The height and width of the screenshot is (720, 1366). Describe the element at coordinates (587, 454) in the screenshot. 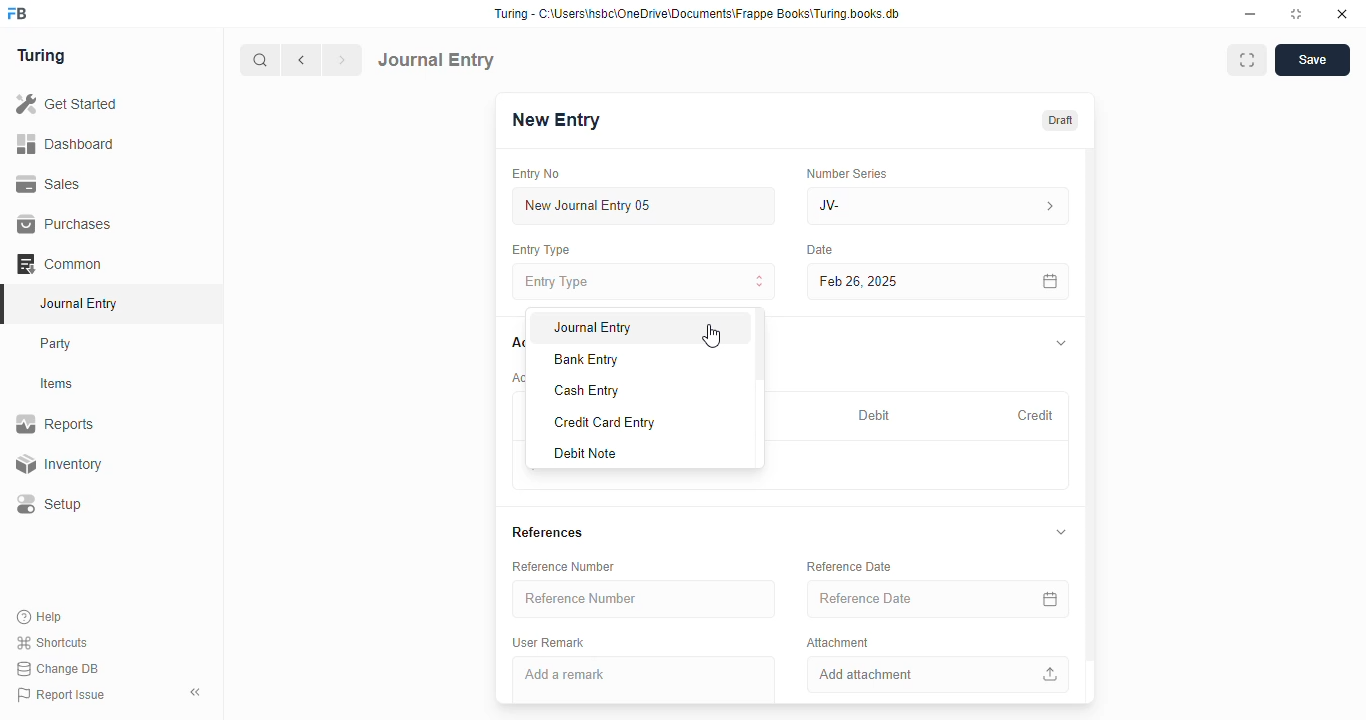

I see `debit note` at that location.